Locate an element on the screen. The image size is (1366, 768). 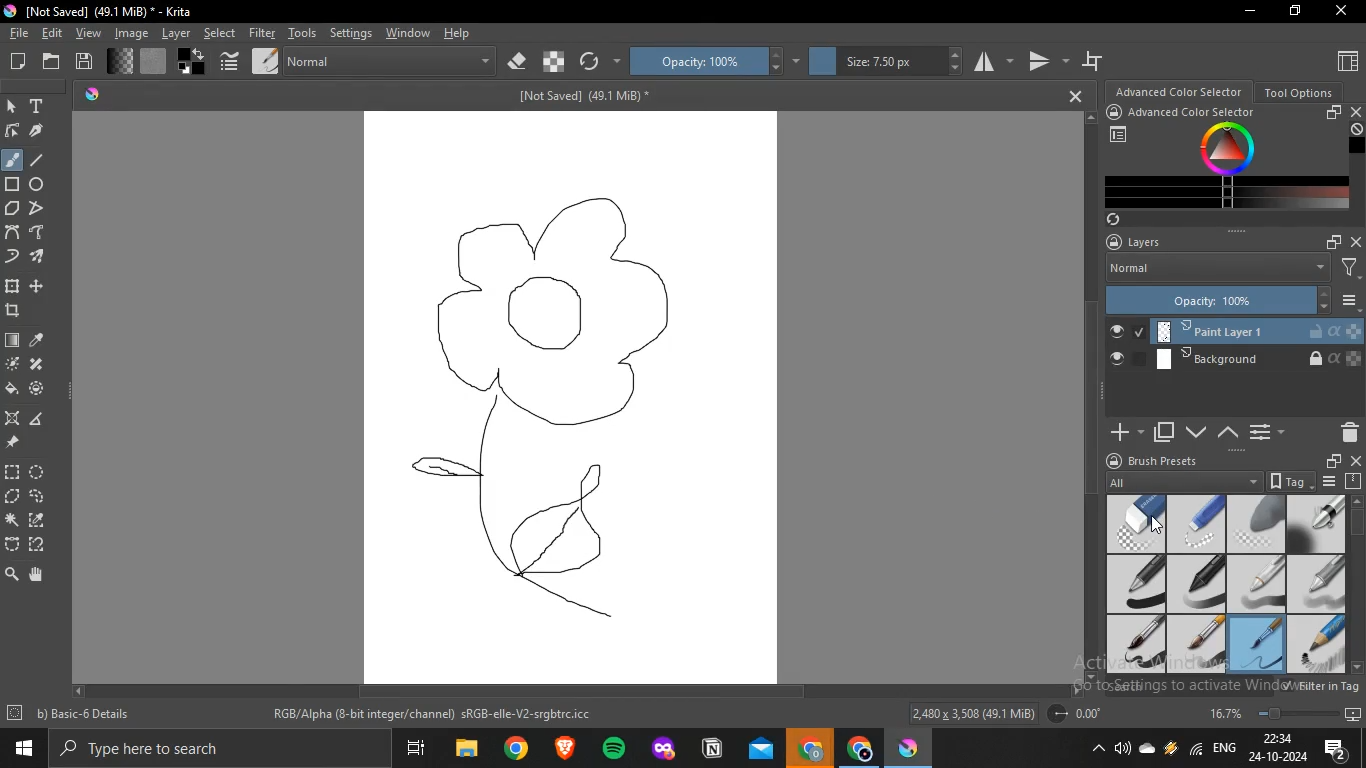
select shape tool is located at coordinates (13, 105).